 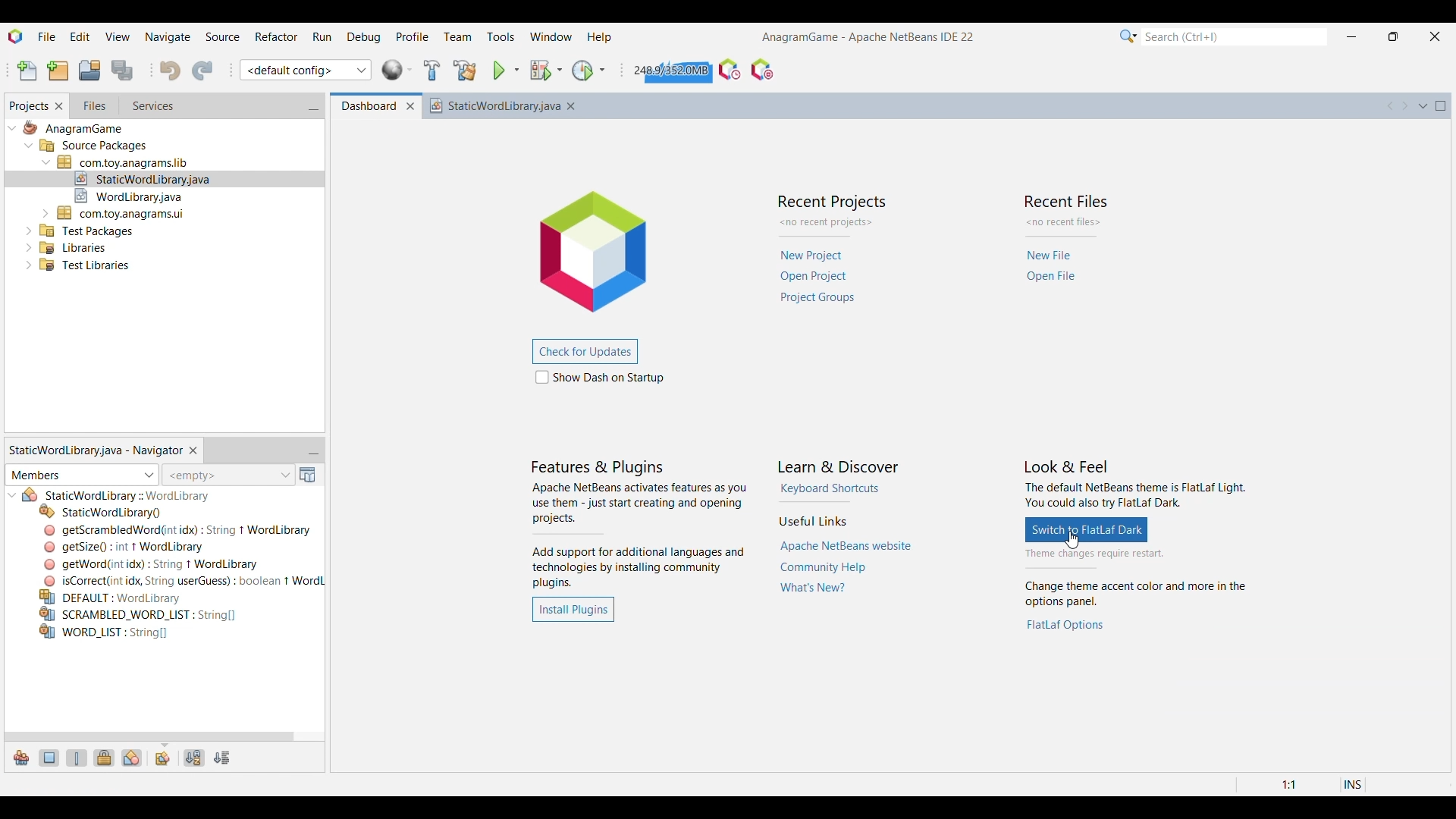 I want to click on Profile project options, so click(x=602, y=70).